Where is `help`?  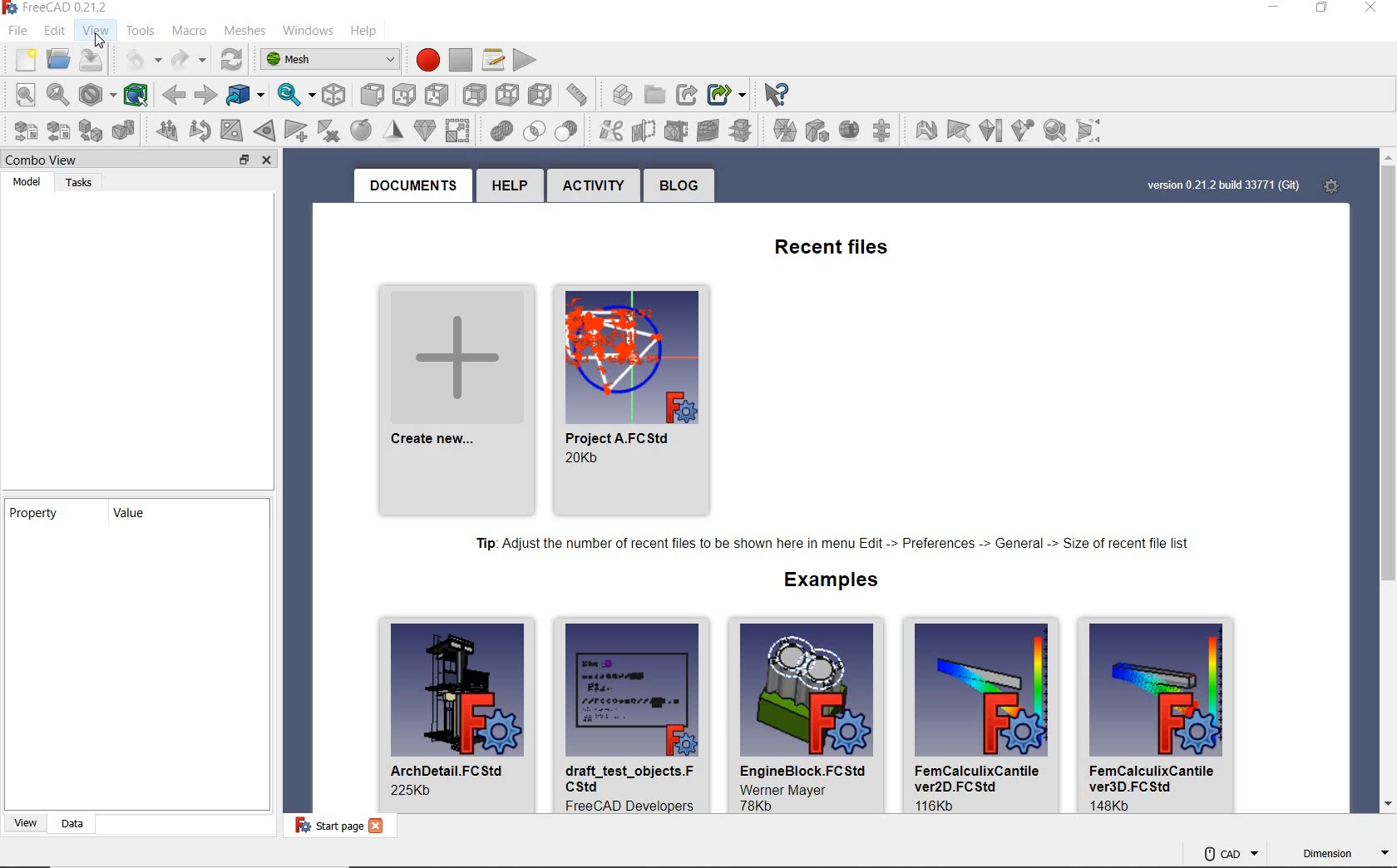
help is located at coordinates (377, 28).